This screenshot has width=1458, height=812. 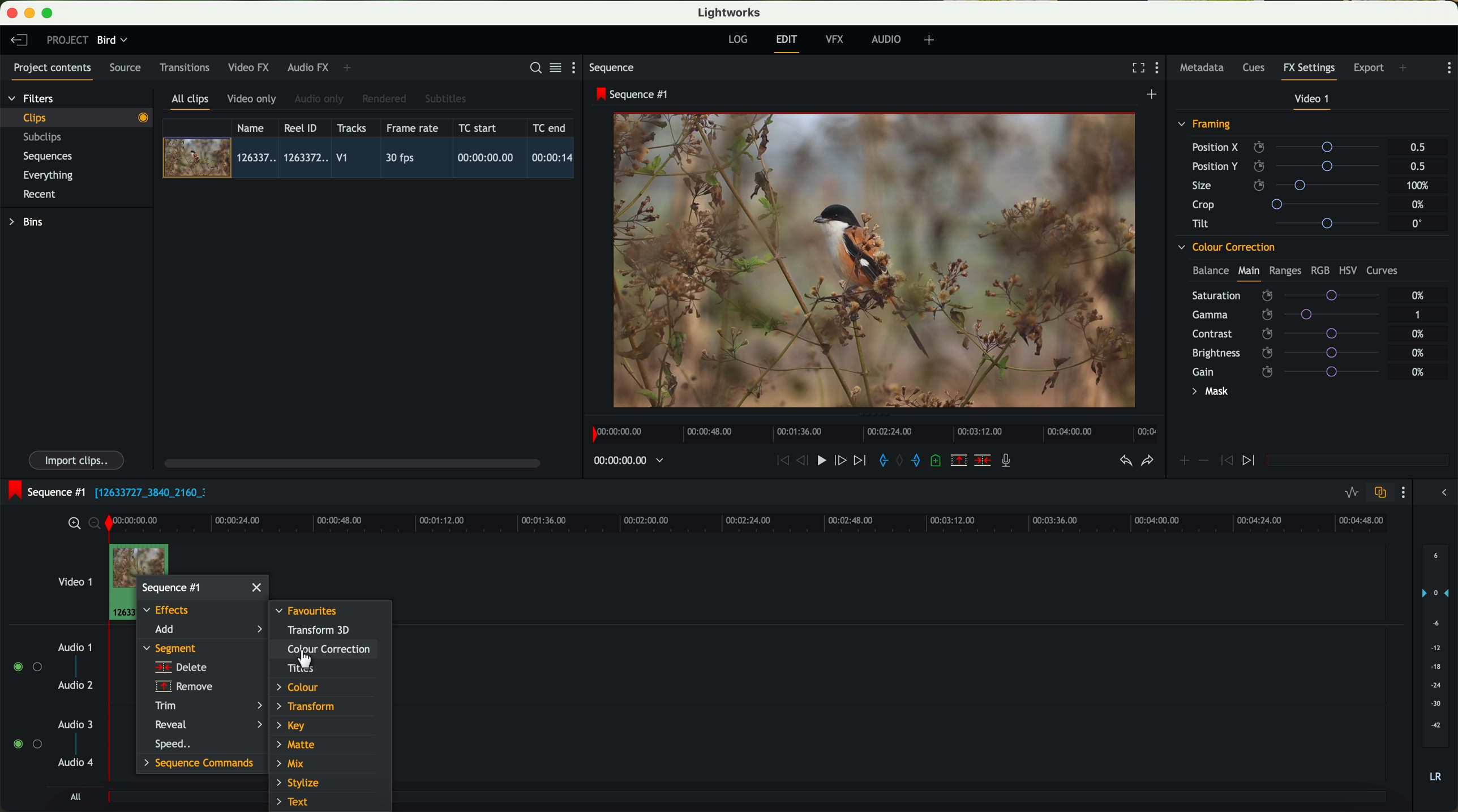 What do you see at coordinates (138, 582) in the screenshot?
I see `right click` at bounding box center [138, 582].